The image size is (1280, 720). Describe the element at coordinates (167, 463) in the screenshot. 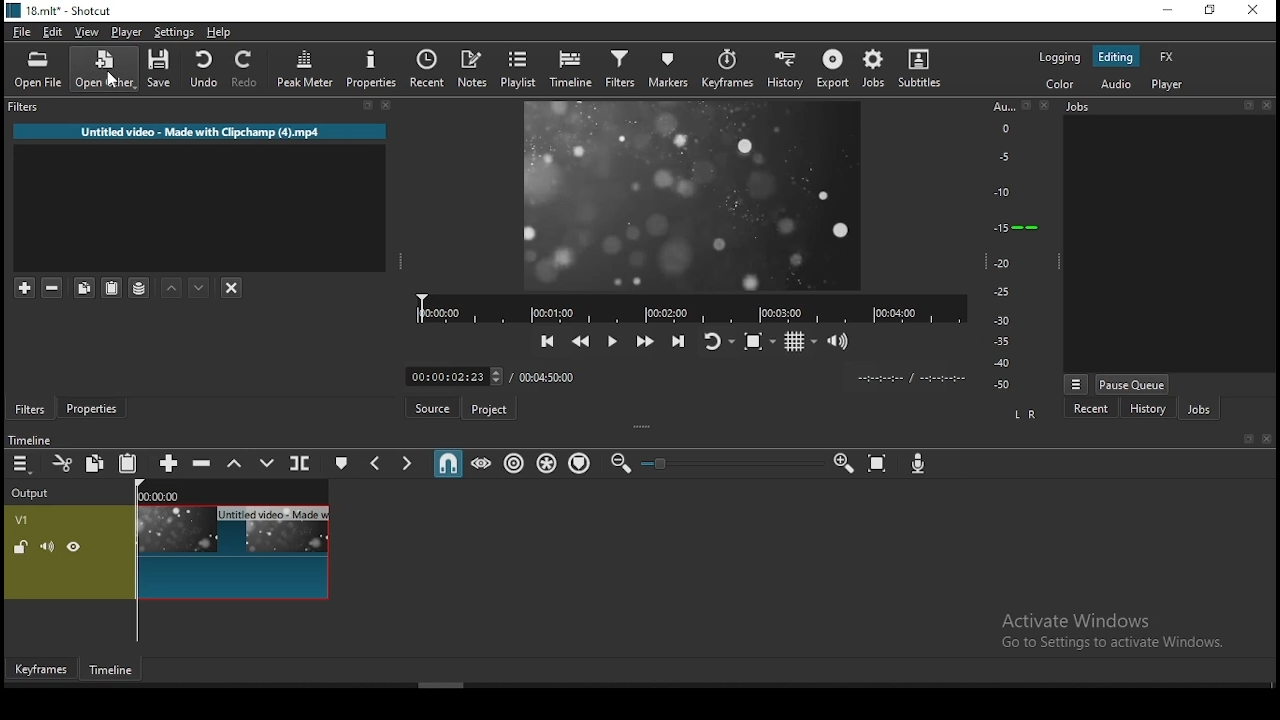

I see `append` at that location.